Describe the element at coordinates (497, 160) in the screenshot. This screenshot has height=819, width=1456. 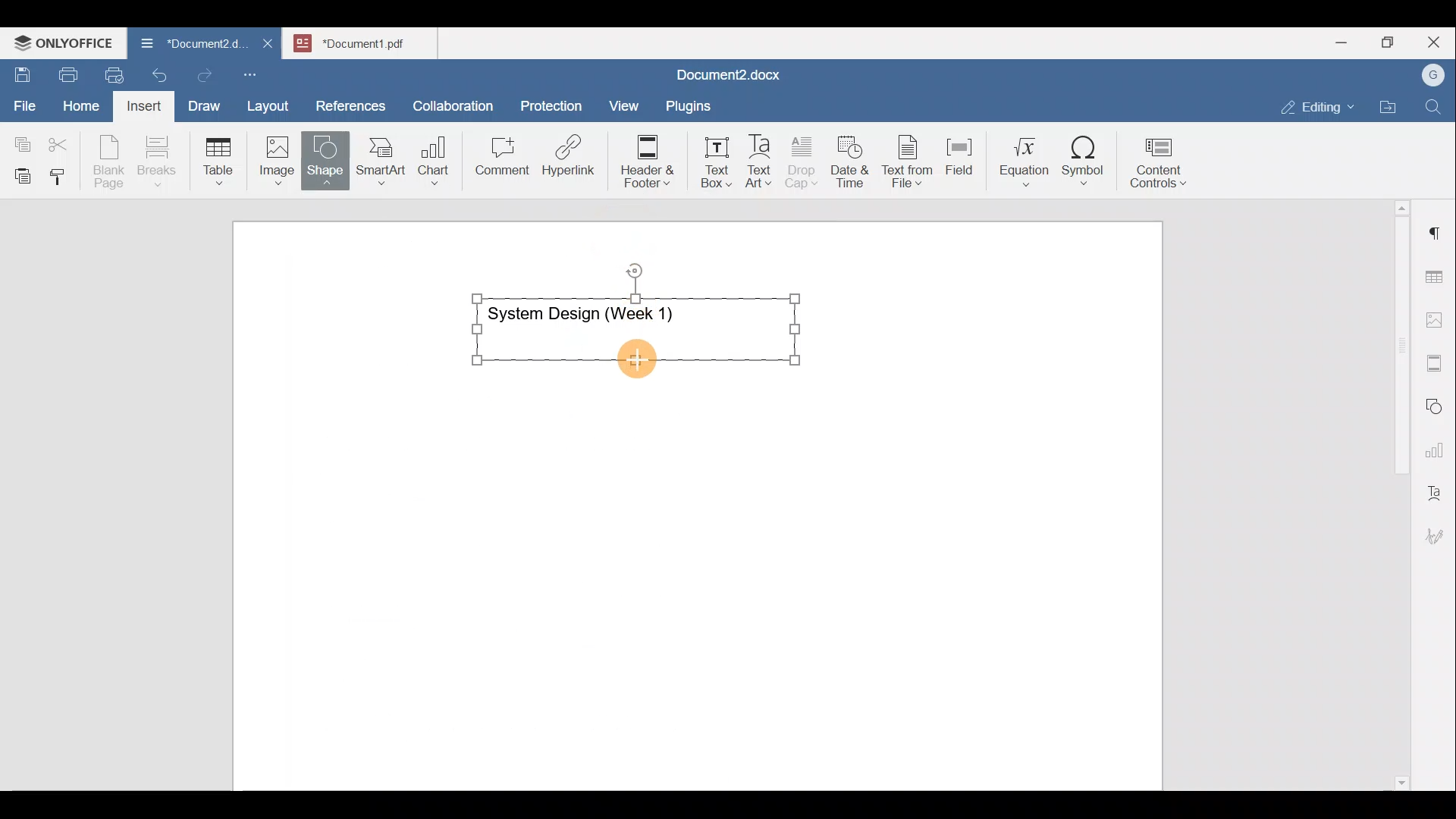
I see `Comment` at that location.